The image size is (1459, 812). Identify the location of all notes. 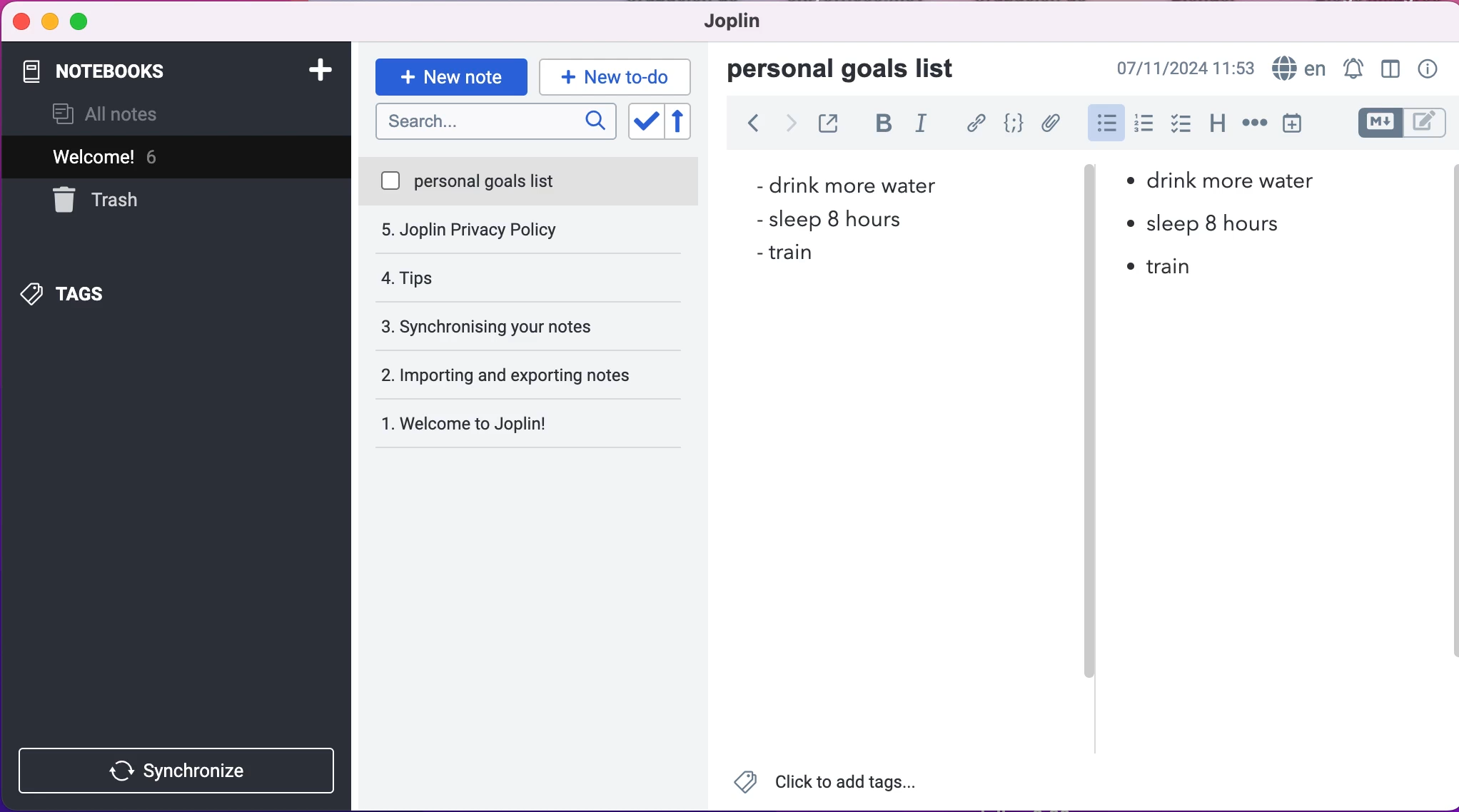
(114, 116).